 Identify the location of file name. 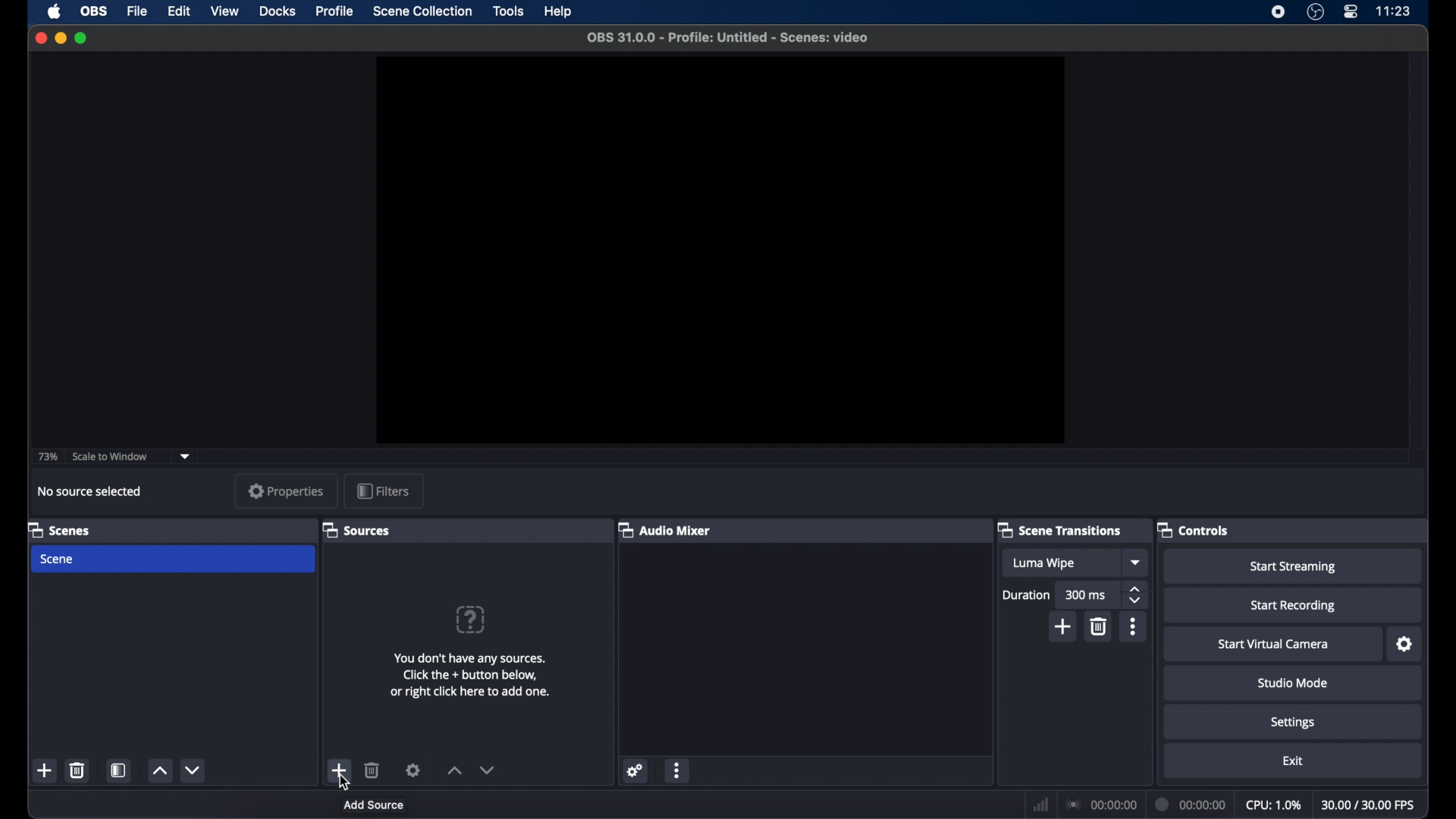
(729, 38).